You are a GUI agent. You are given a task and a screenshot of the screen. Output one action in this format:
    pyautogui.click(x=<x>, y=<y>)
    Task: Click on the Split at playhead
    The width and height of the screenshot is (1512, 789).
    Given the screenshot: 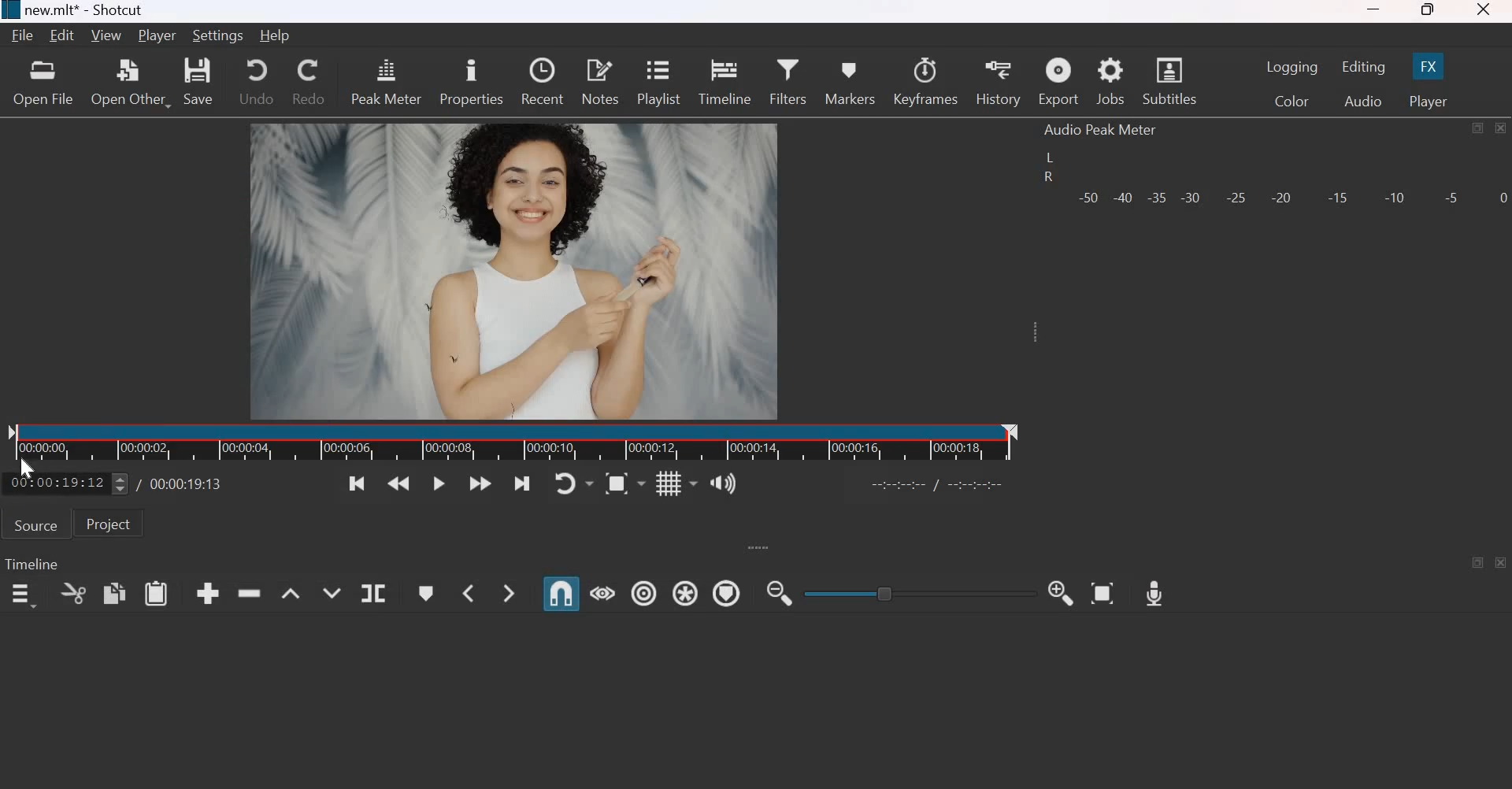 What is the action you would take?
    pyautogui.click(x=372, y=594)
    